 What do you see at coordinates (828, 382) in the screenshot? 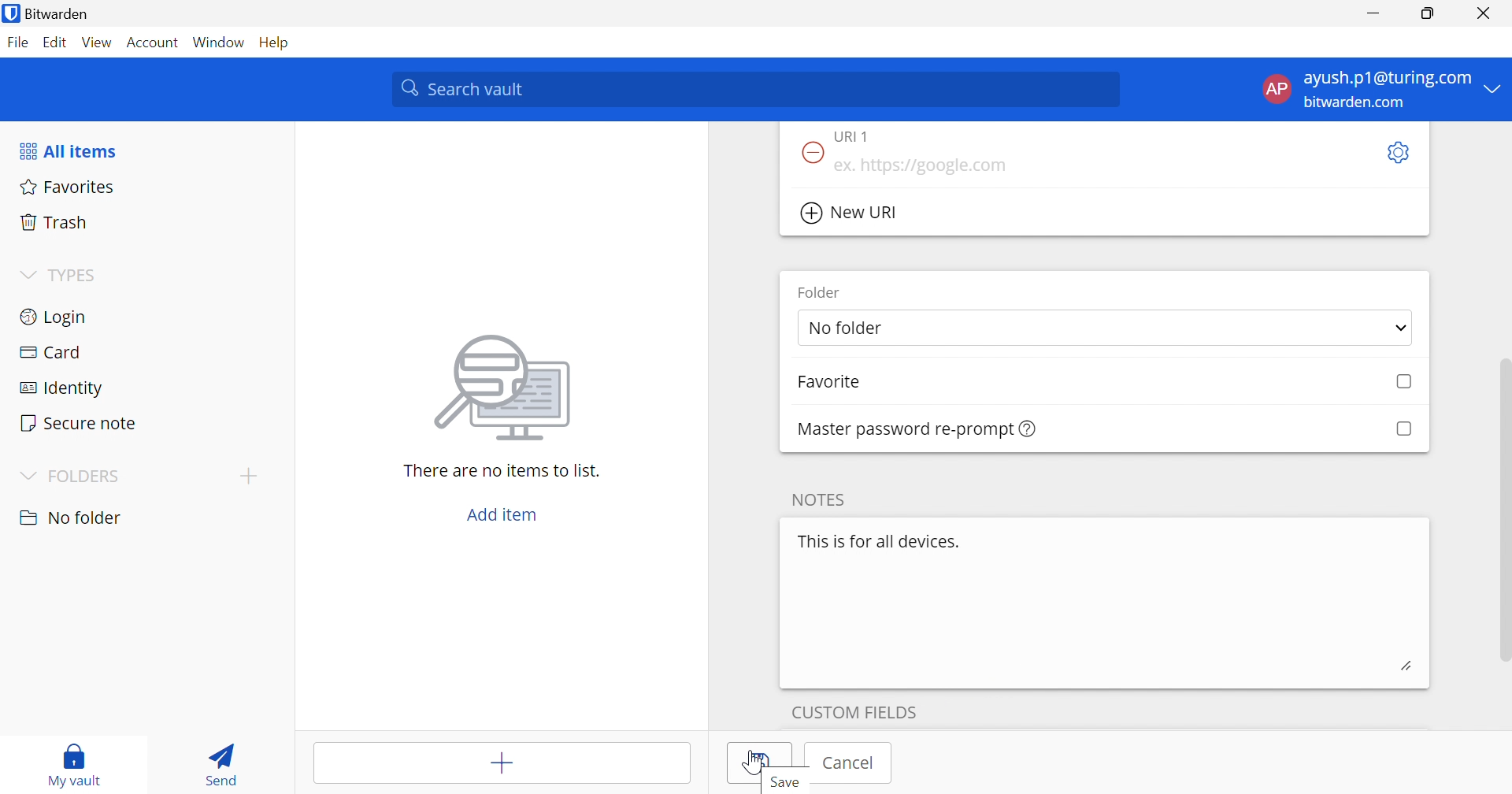
I see `Favorite` at bounding box center [828, 382].